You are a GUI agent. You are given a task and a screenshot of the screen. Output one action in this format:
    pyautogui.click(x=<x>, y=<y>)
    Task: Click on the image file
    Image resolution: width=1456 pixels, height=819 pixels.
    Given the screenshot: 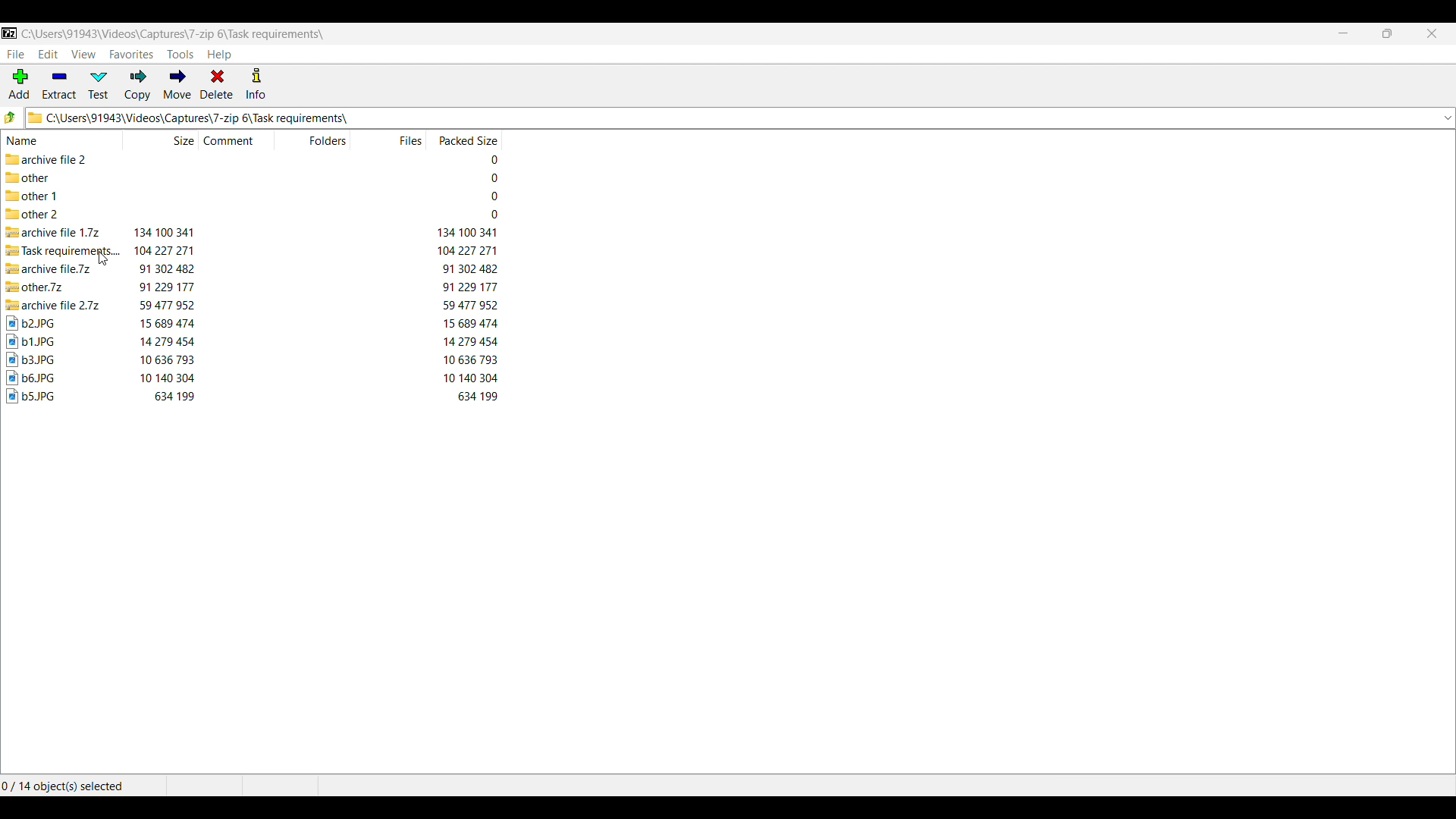 What is the action you would take?
    pyautogui.click(x=50, y=322)
    